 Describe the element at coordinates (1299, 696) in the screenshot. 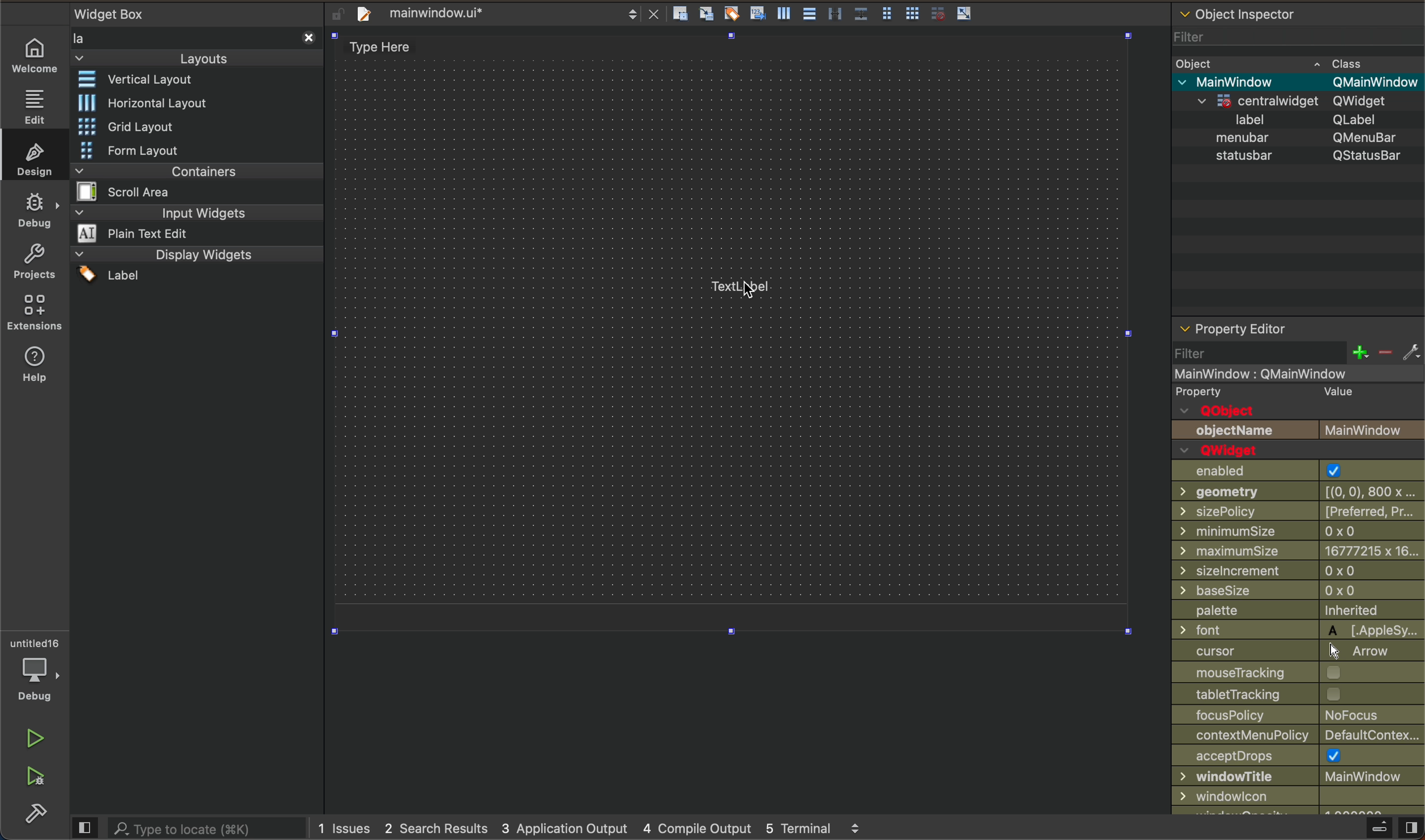

I see `tablet` at that location.